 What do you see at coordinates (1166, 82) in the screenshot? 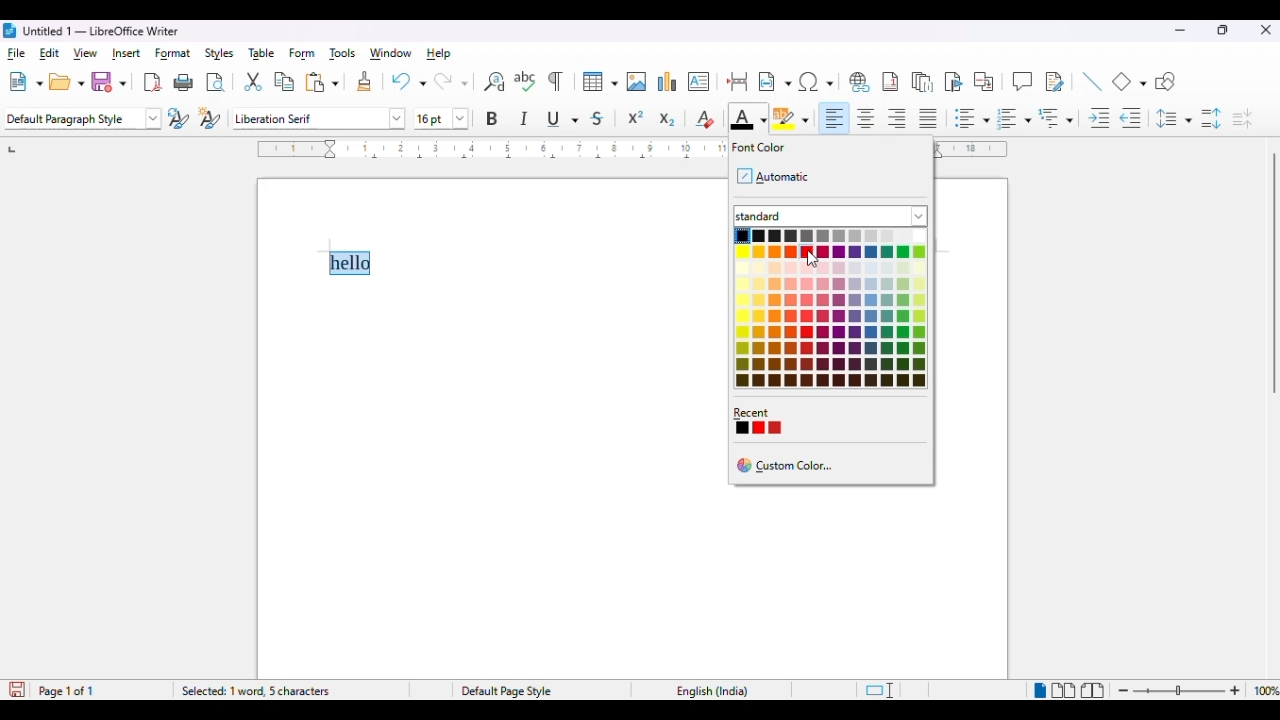
I see `show draw functions` at bounding box center [1166, 82].